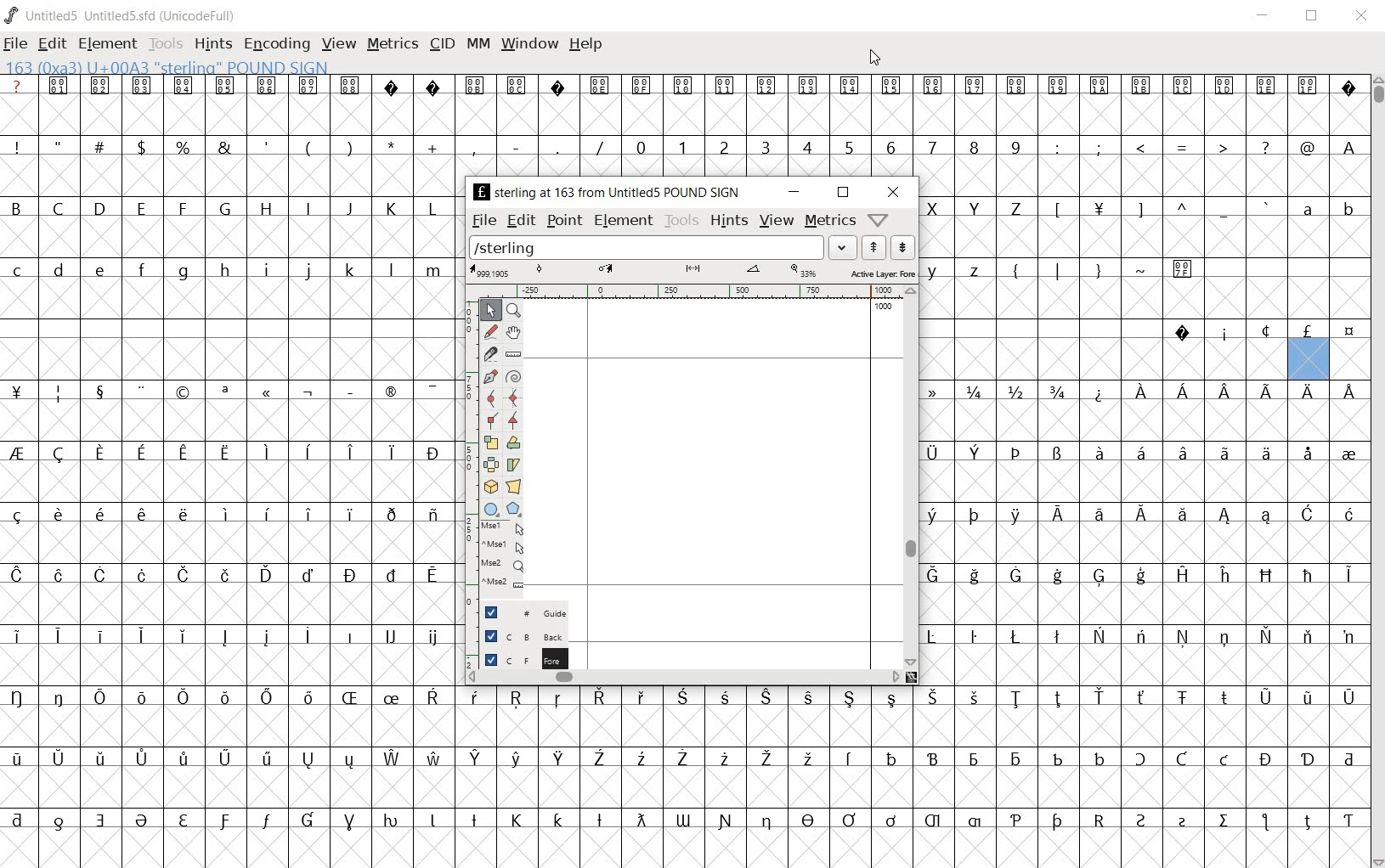 The image size is (1385, 868). I want to click on Symbol, so click(100, 760).